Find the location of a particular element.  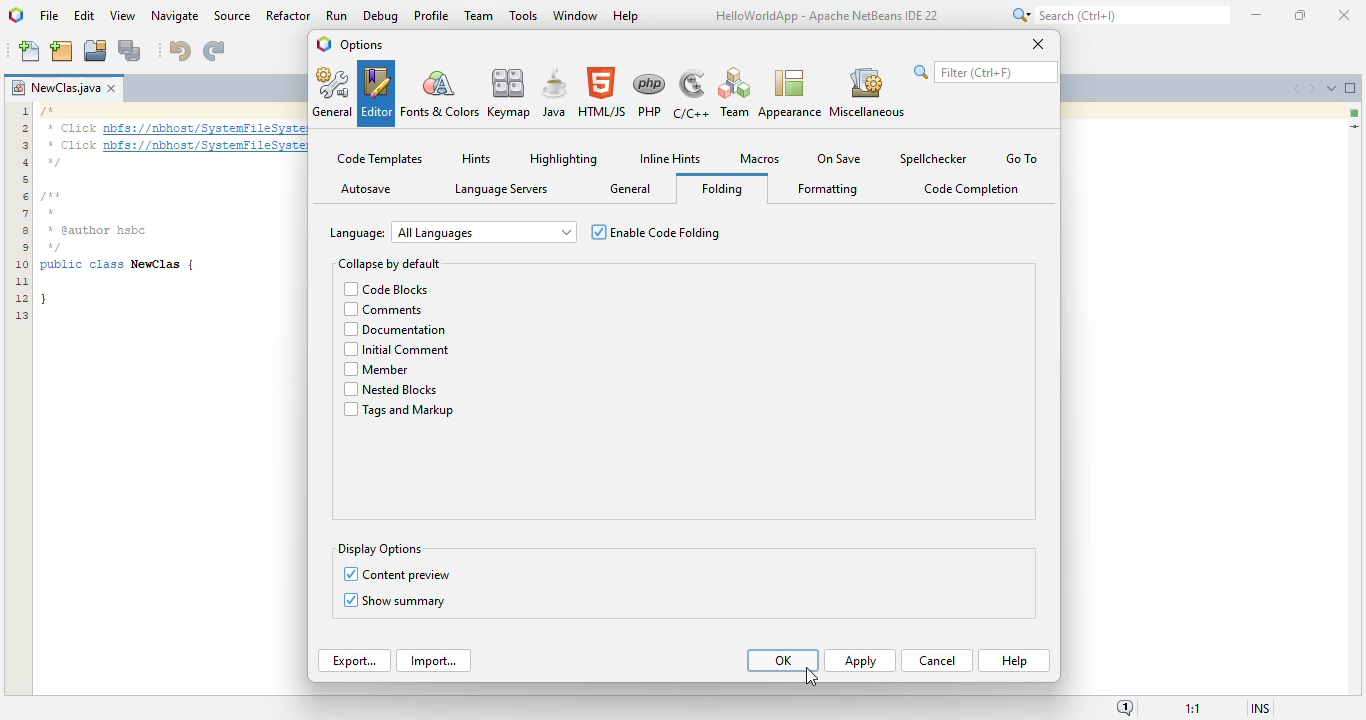

on save is located at coordinates (839, 159).